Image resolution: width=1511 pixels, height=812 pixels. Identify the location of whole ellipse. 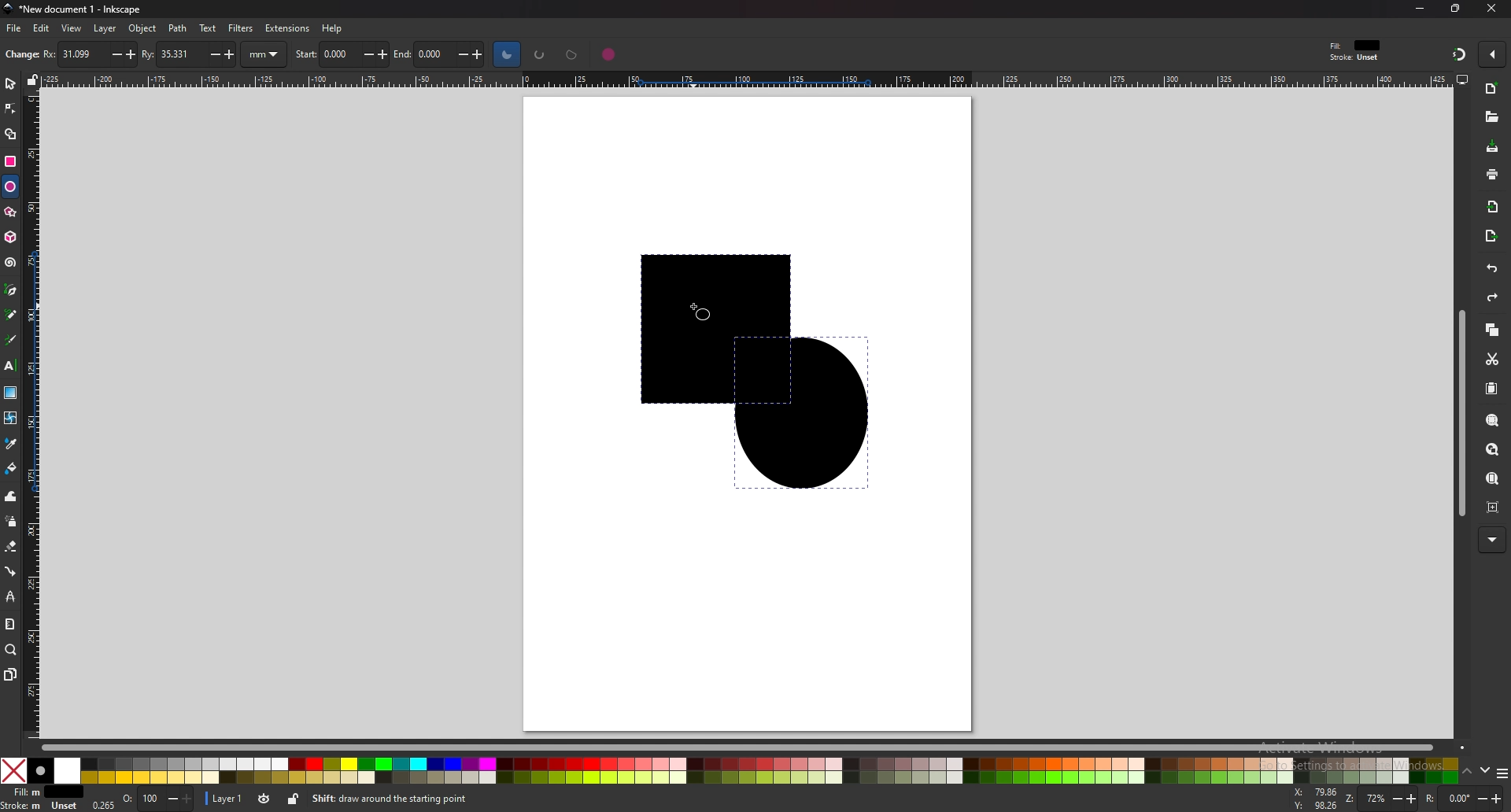
(609, 54).